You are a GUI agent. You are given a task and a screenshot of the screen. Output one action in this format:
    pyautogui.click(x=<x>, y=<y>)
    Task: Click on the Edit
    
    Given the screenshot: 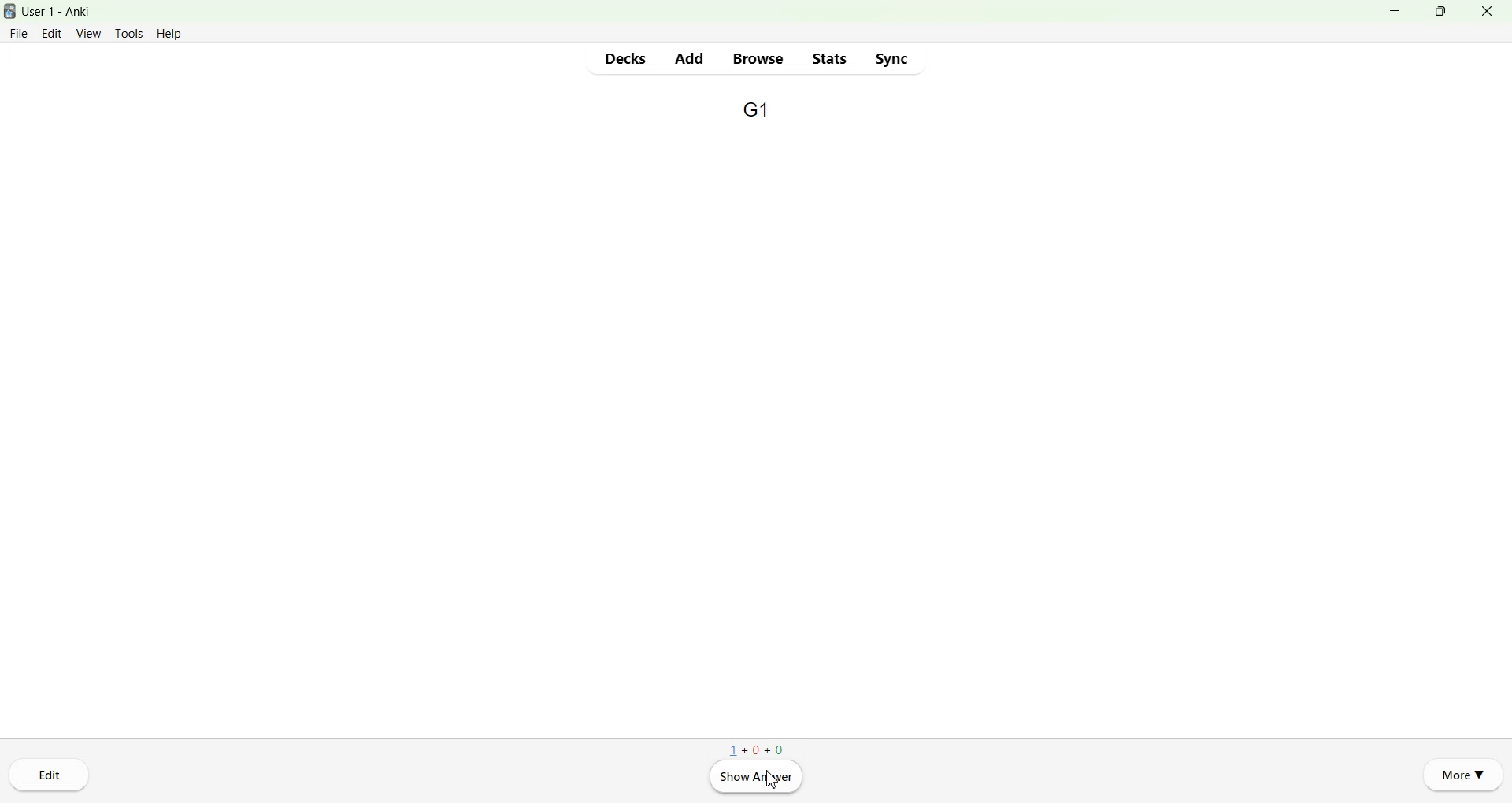 What is the action you would take?
    pyautogui.click(x=53, y=33)
    